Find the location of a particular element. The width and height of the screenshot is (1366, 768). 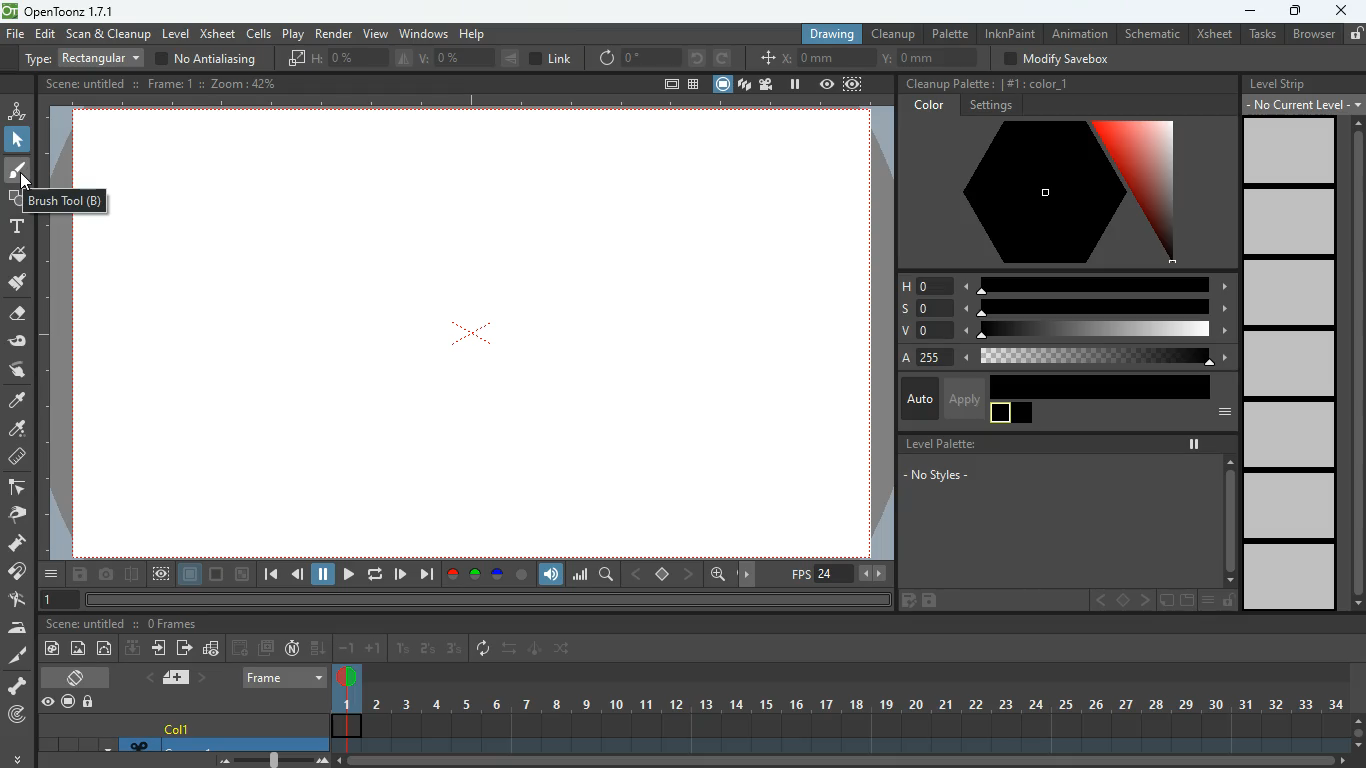

screen is located at coordinates (266, 648).